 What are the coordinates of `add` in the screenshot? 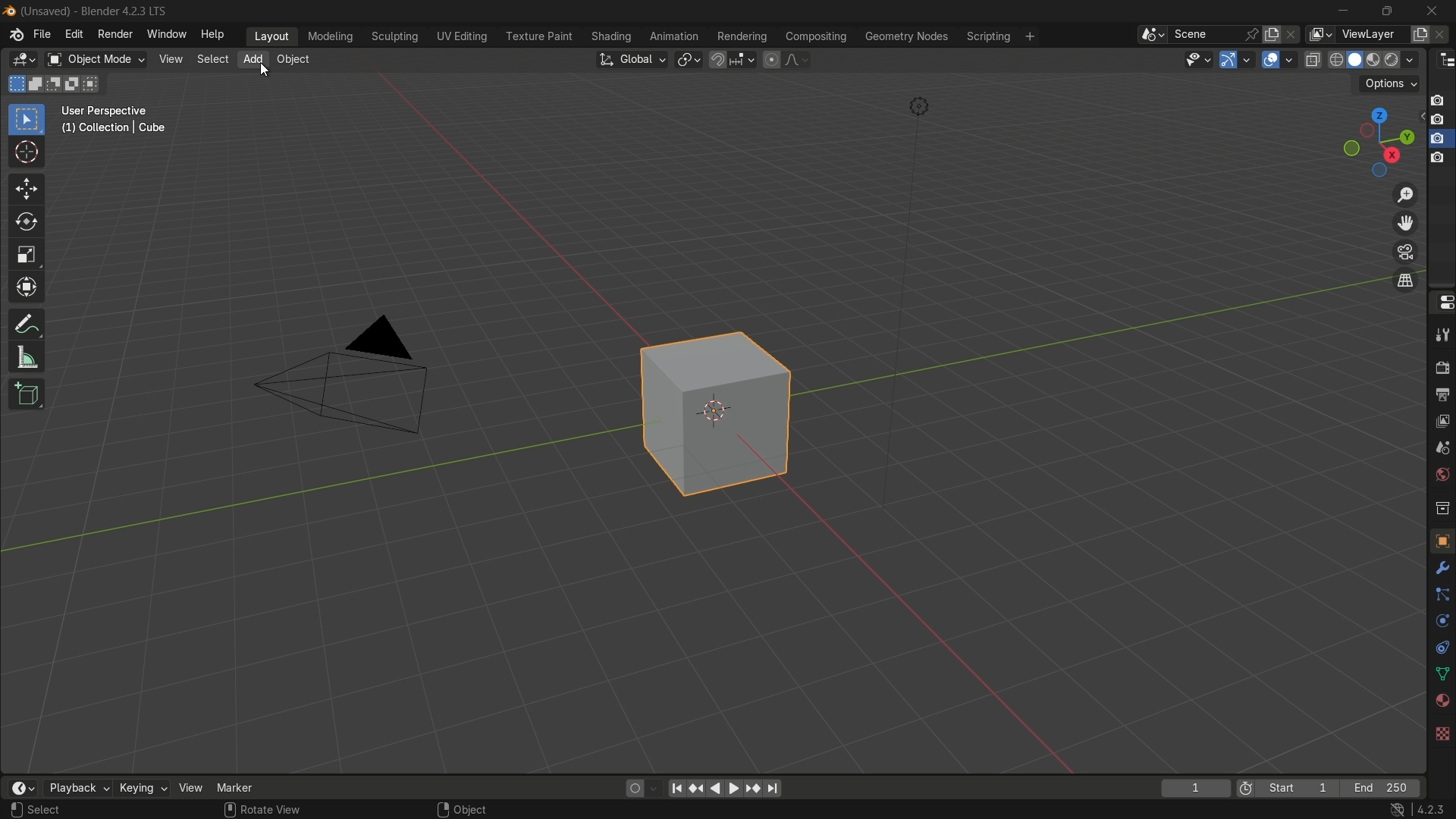 It's located at (253, 58).